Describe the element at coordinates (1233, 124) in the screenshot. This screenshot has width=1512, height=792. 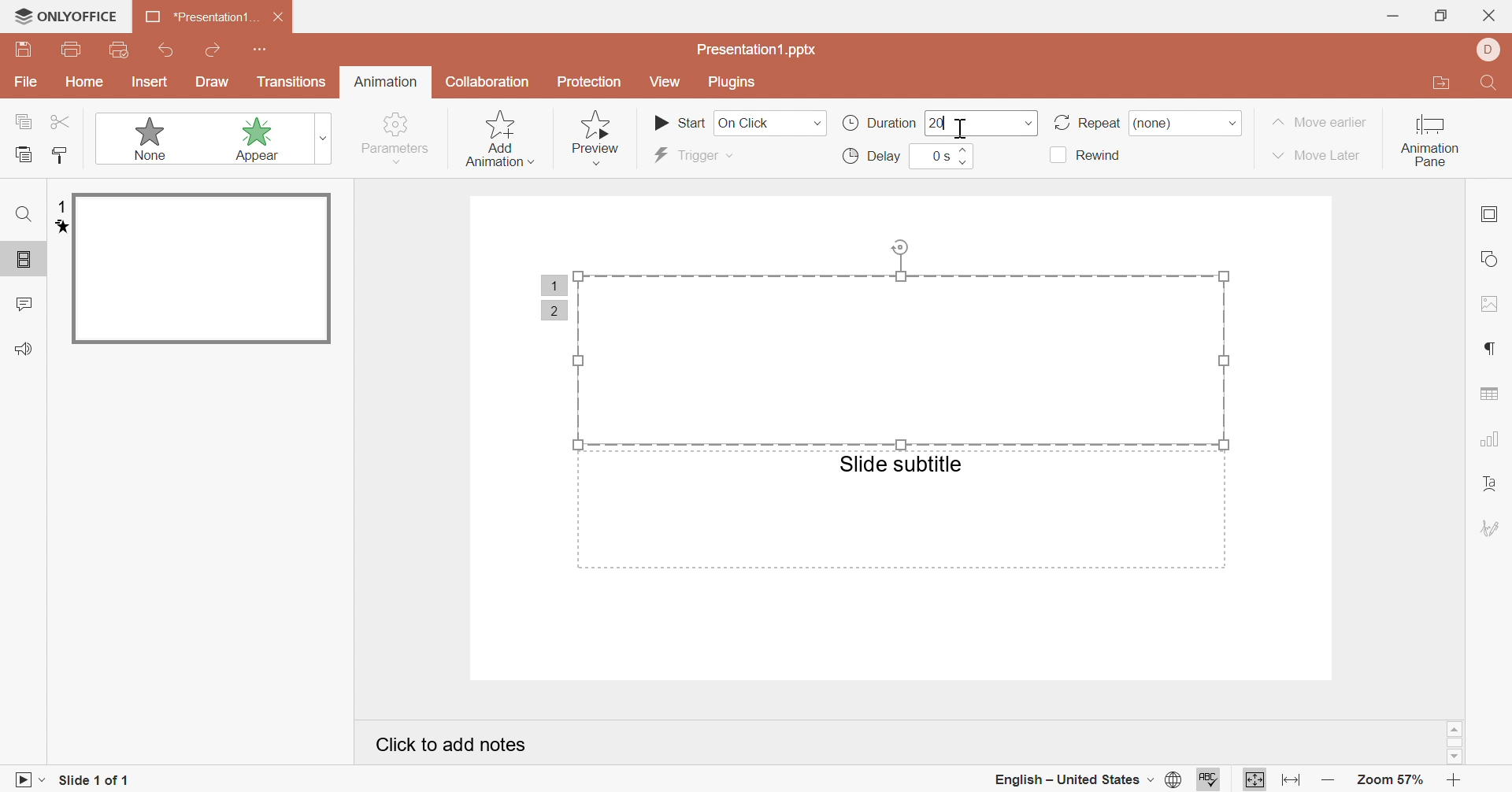
I see `drop down` at that location.